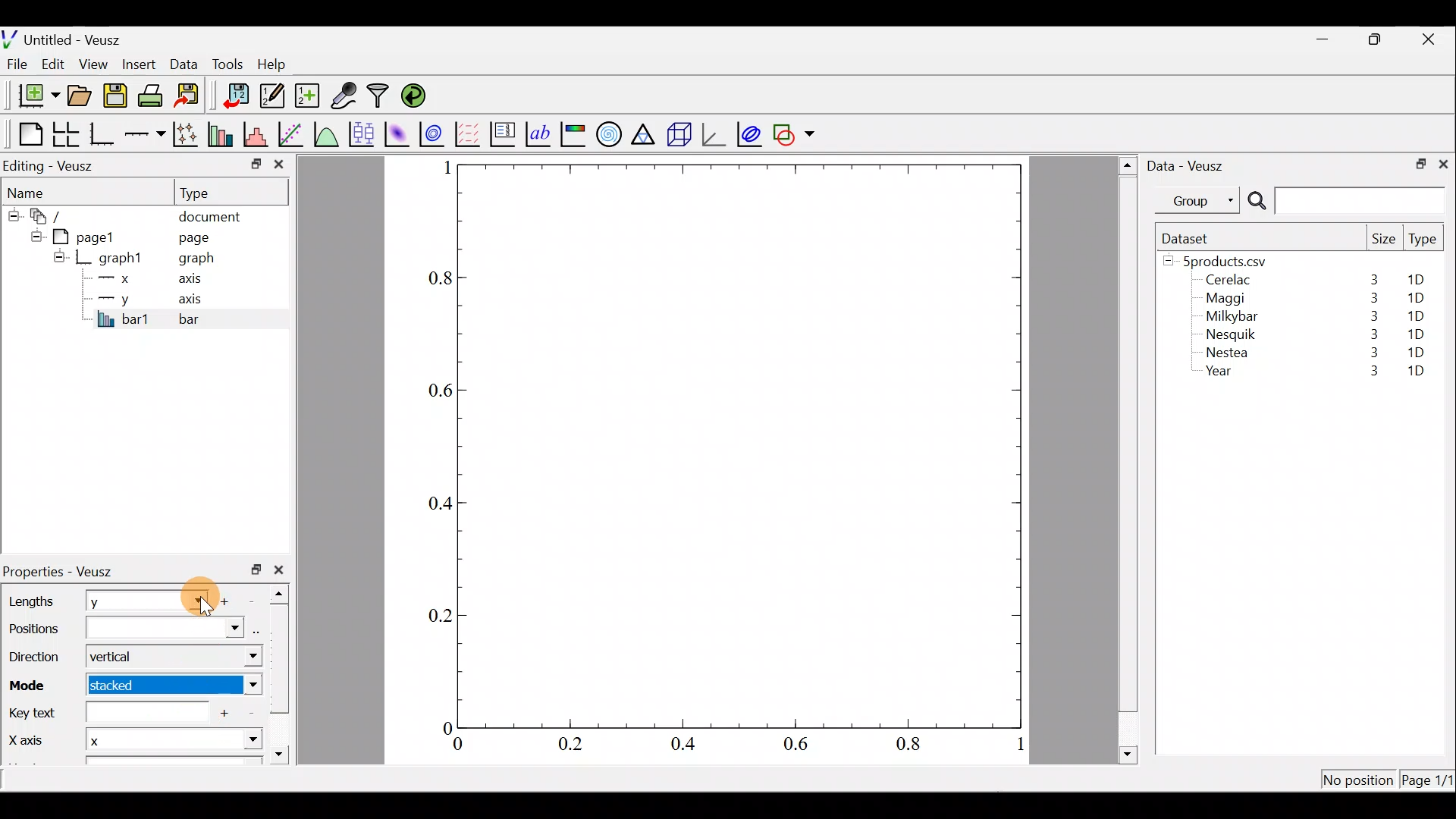 This screenshot has height=819, width=1456. What do you see at coordinates (912, 745) in the screenshot?
I see `0.8` at bounding box center [912, 745].